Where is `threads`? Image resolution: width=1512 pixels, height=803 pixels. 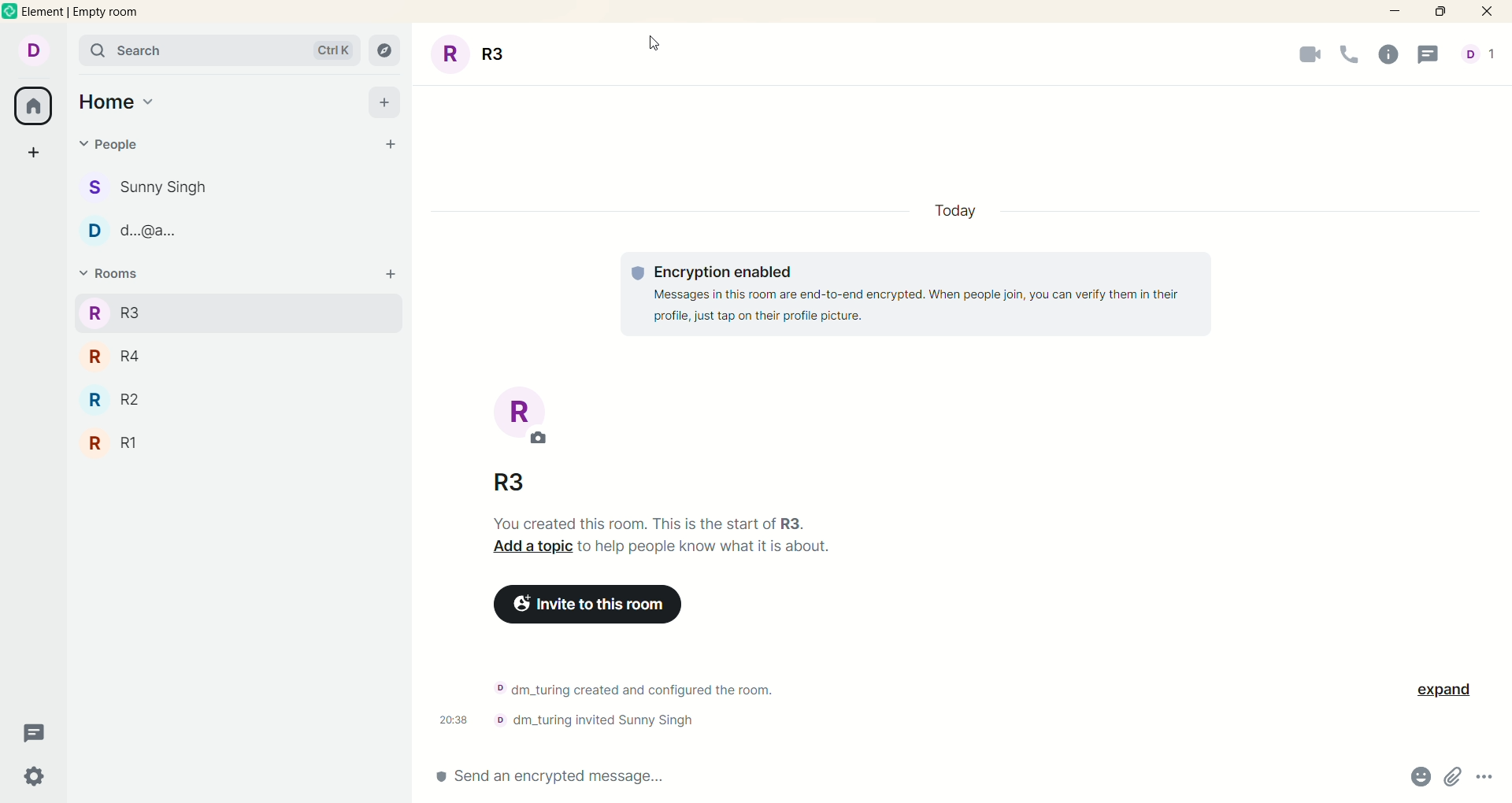 threads is located at coordinates (1432, 54).